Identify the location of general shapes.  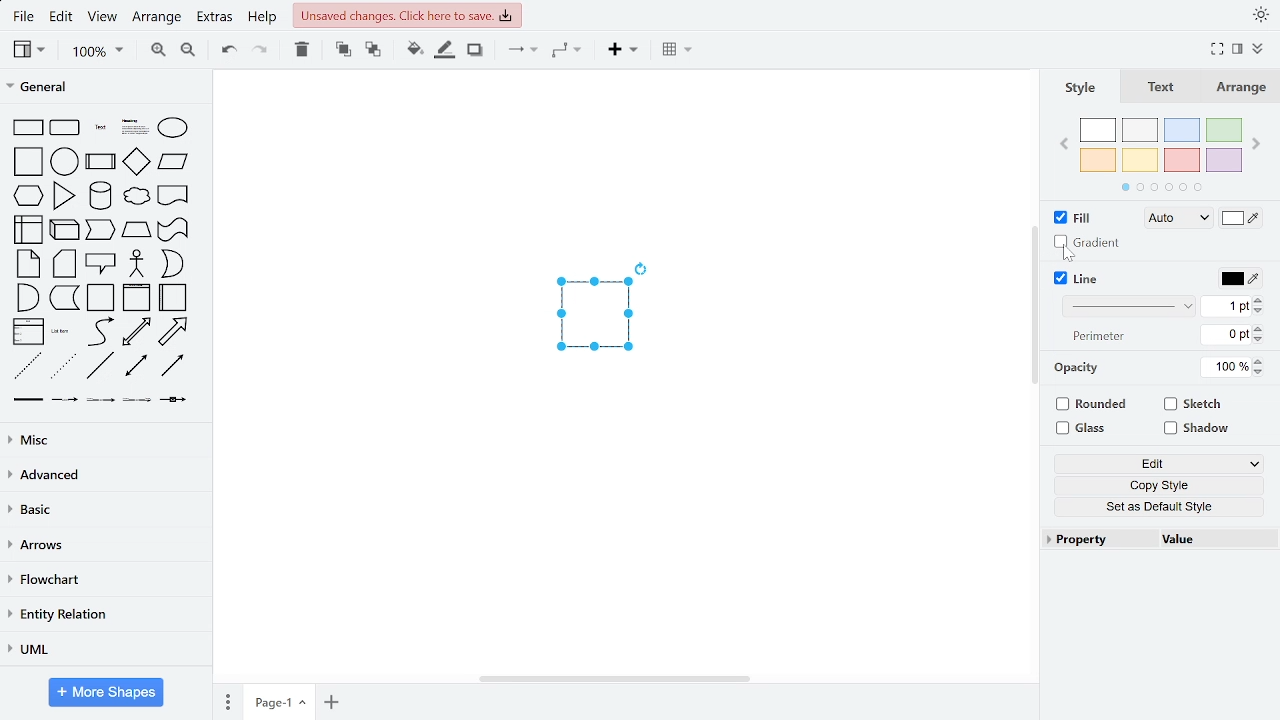
(172, 229).